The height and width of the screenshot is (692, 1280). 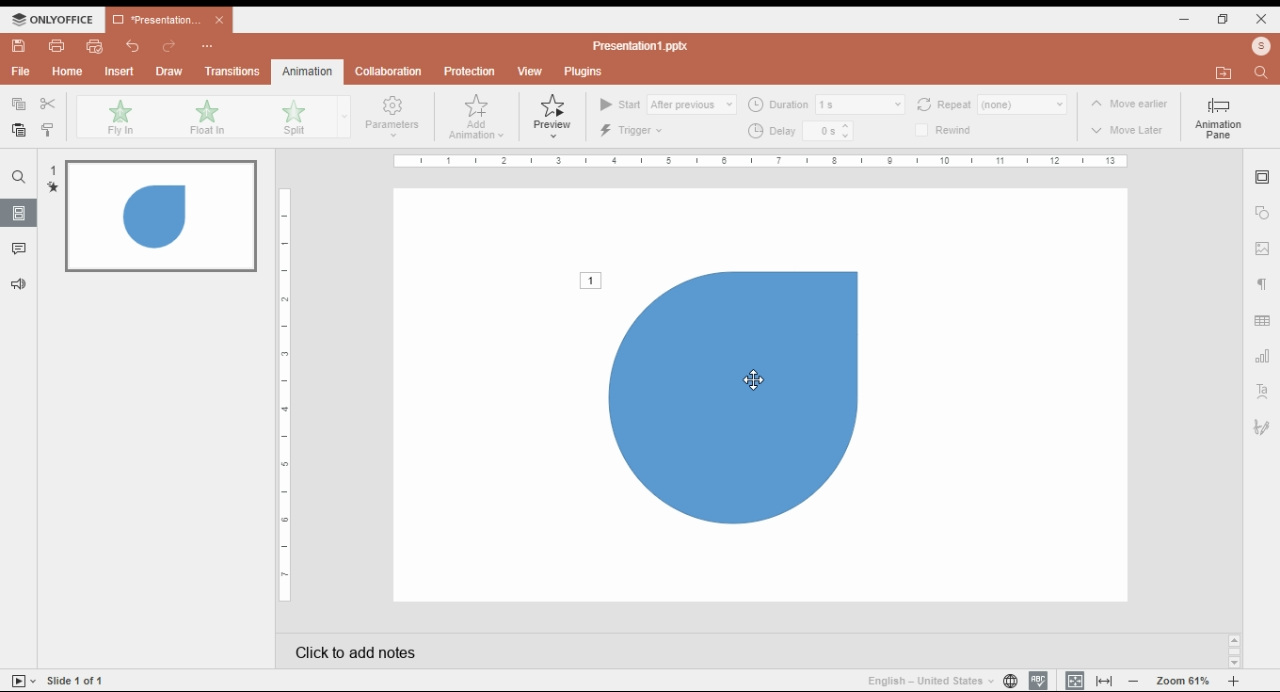 I want to click on slide settings, so click(x=1261, y=179).